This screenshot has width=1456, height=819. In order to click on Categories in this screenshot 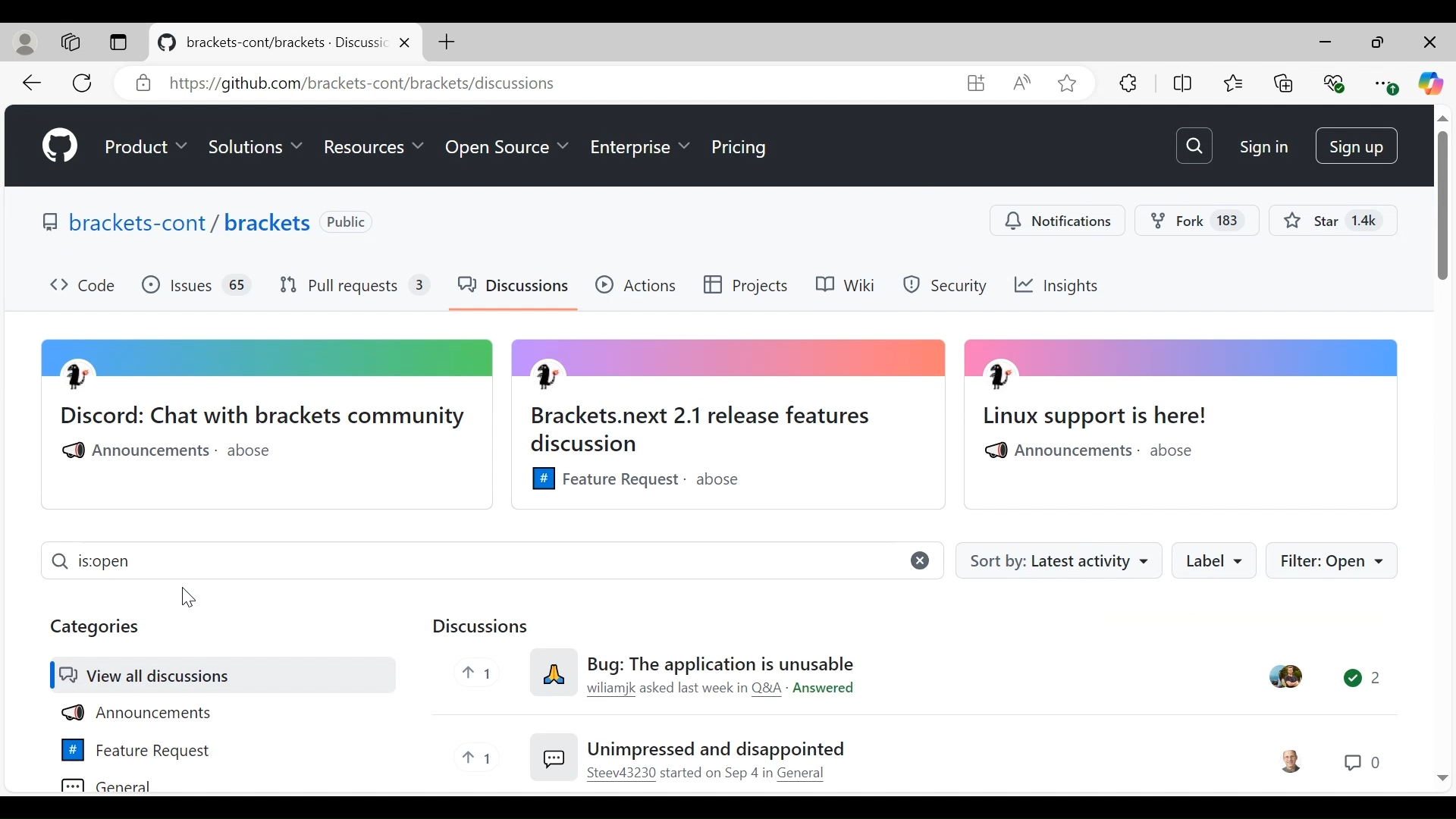, I will do `click(211, 629)`.